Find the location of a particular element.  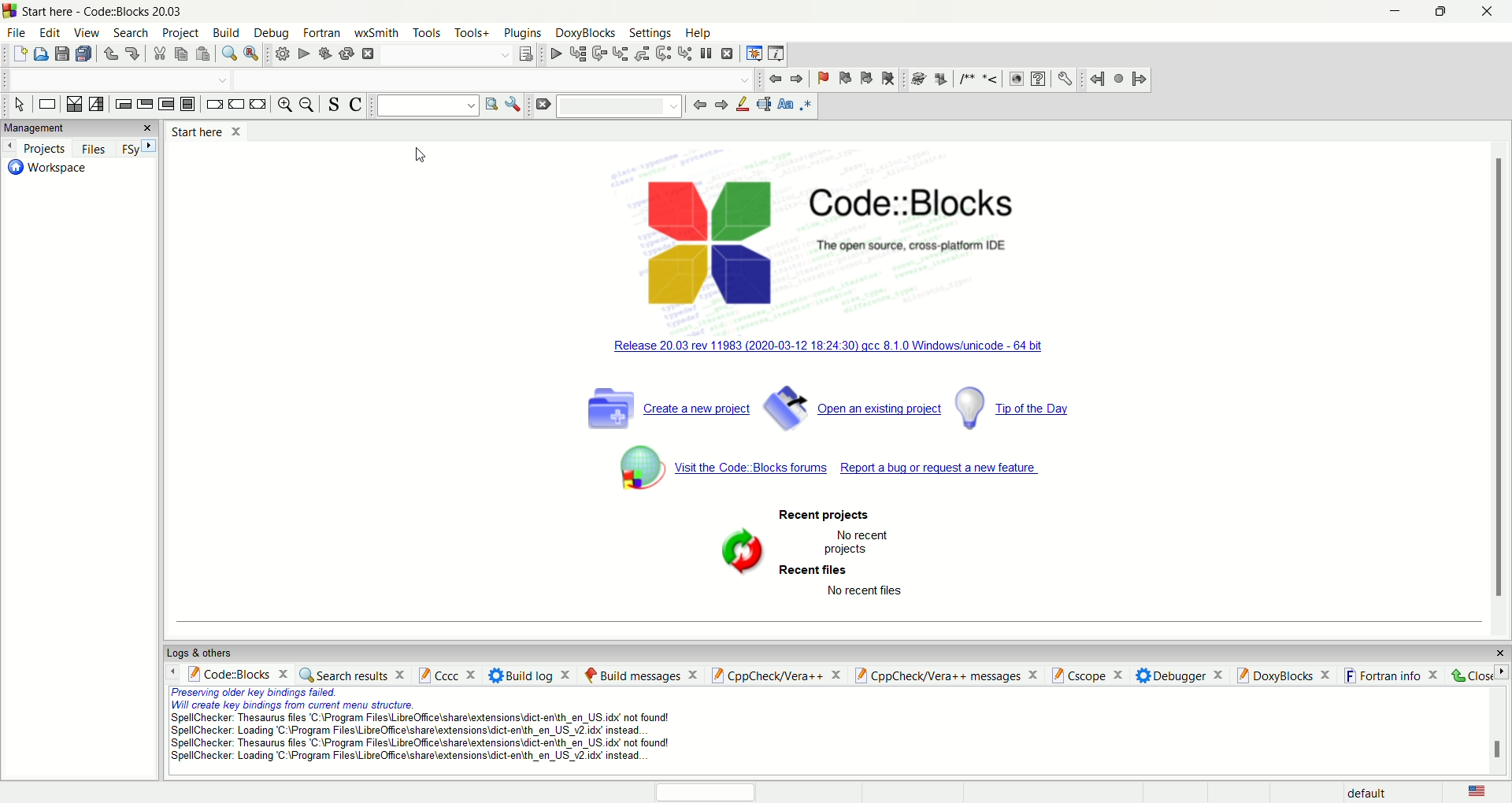

symbol is located at coordinates (733, 550).